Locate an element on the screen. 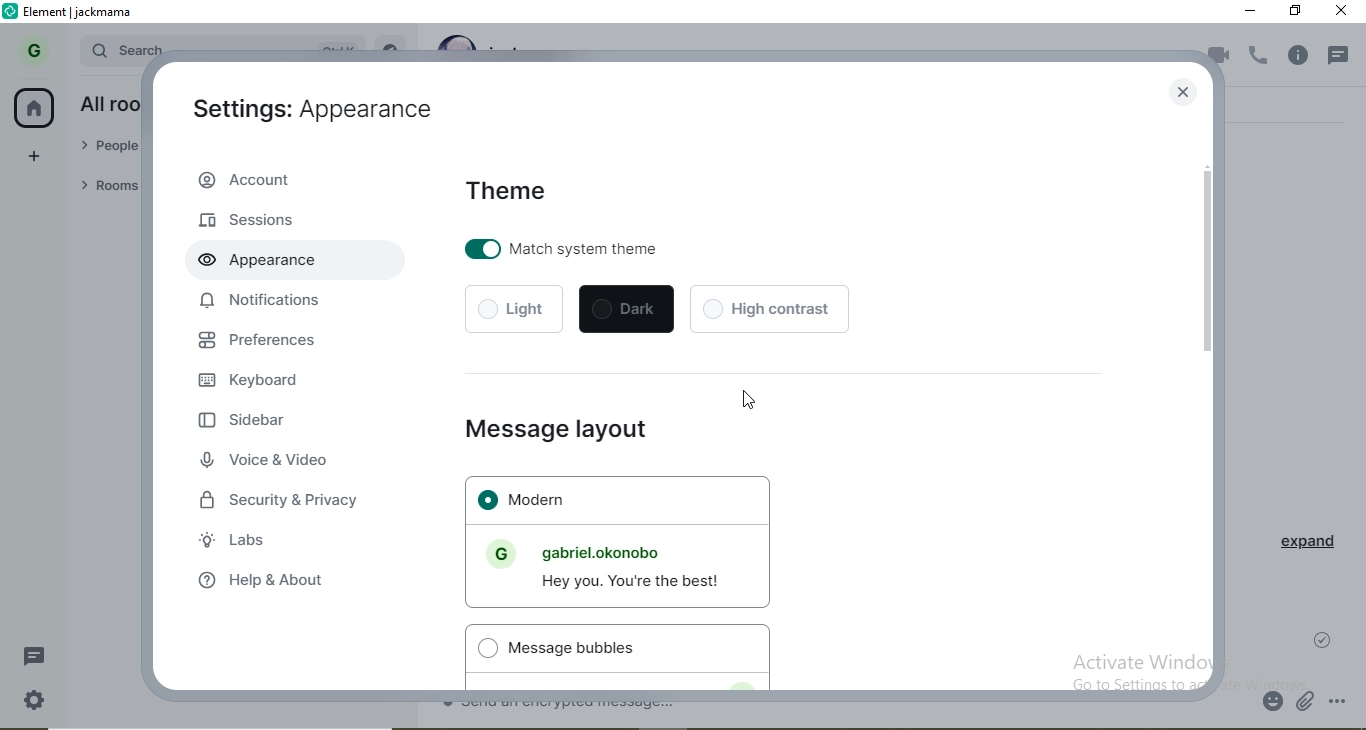 Image resolution: width=1366 pixels, height=730 pixels. G is located at coordinates (30, 52).